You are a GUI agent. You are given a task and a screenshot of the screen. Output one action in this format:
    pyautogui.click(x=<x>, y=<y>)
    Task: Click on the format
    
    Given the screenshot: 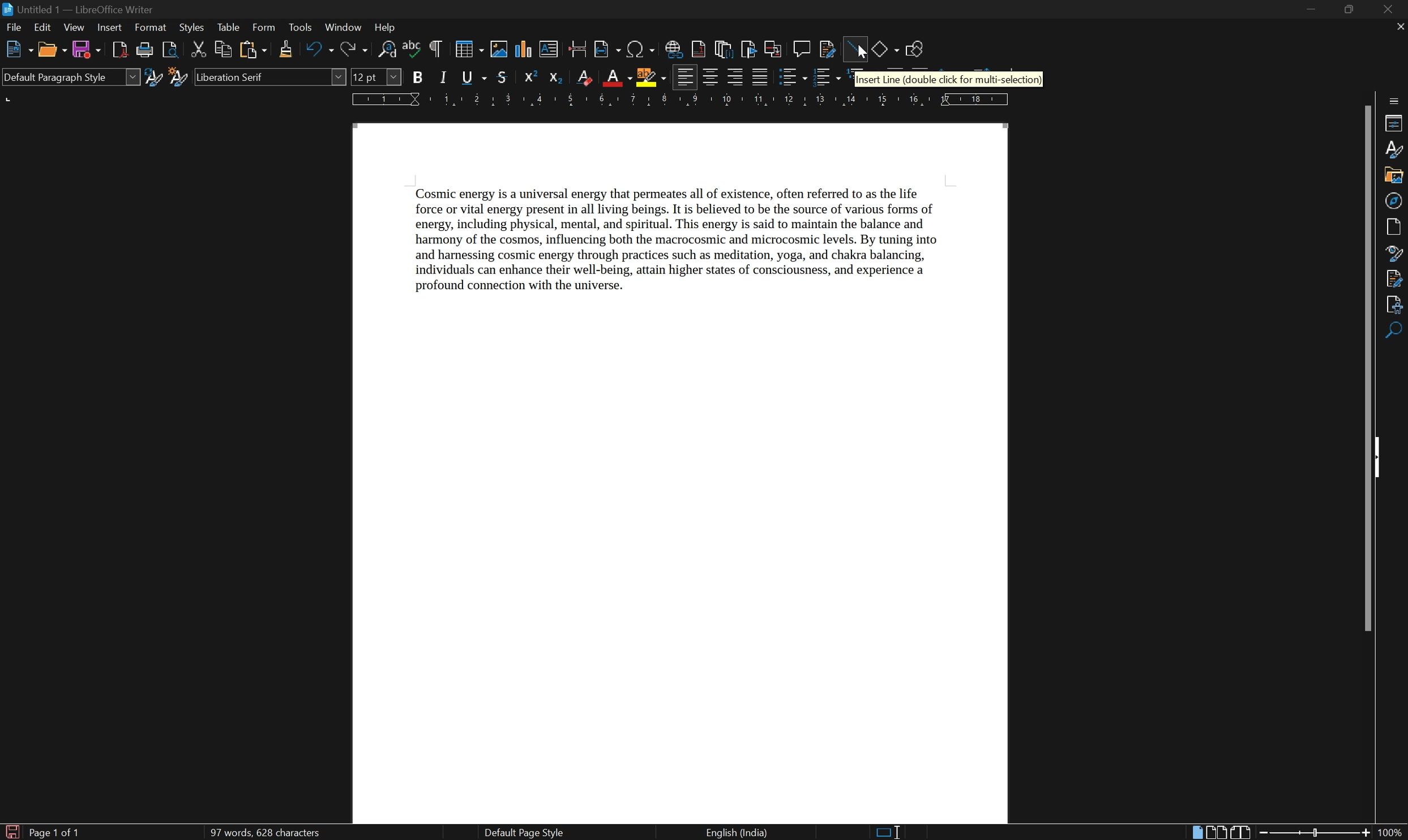 What is the action you would take?
    pyautogui.click(x=151, y=28)
    